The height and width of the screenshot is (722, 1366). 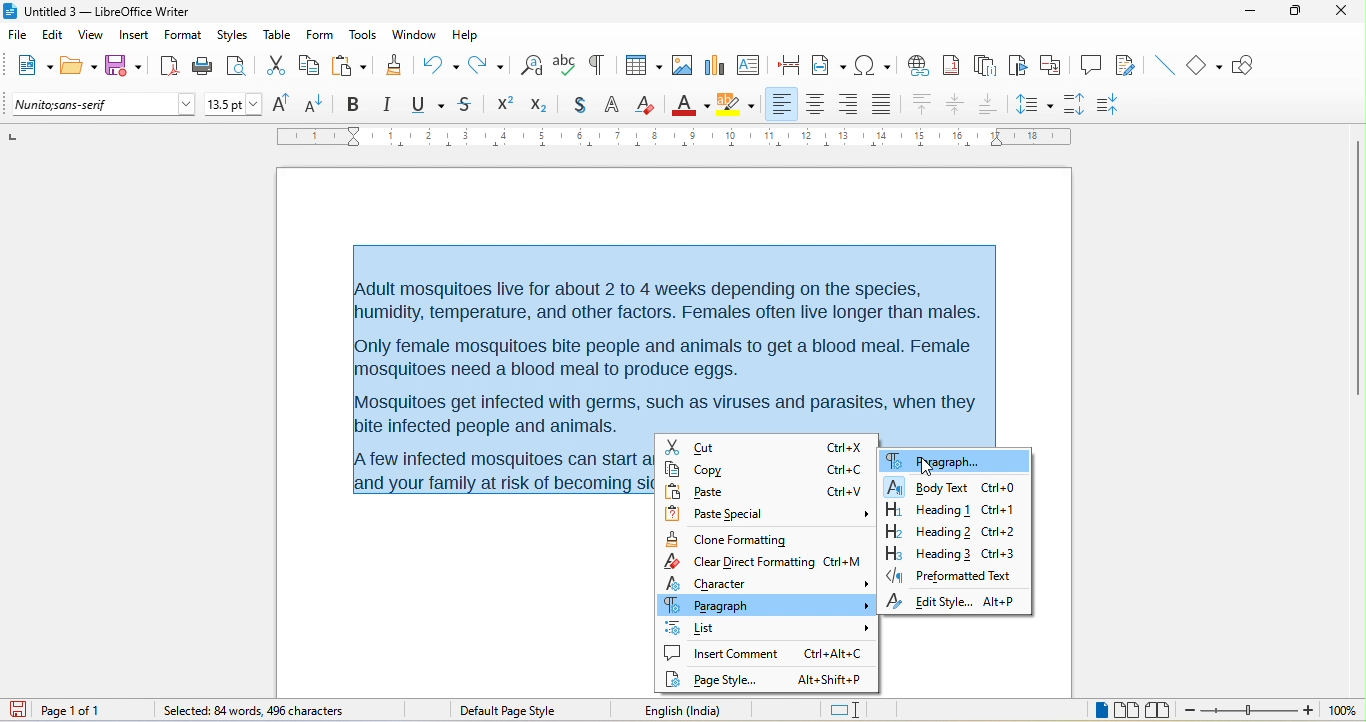 I want to click on save, so click(x=125, y=66).